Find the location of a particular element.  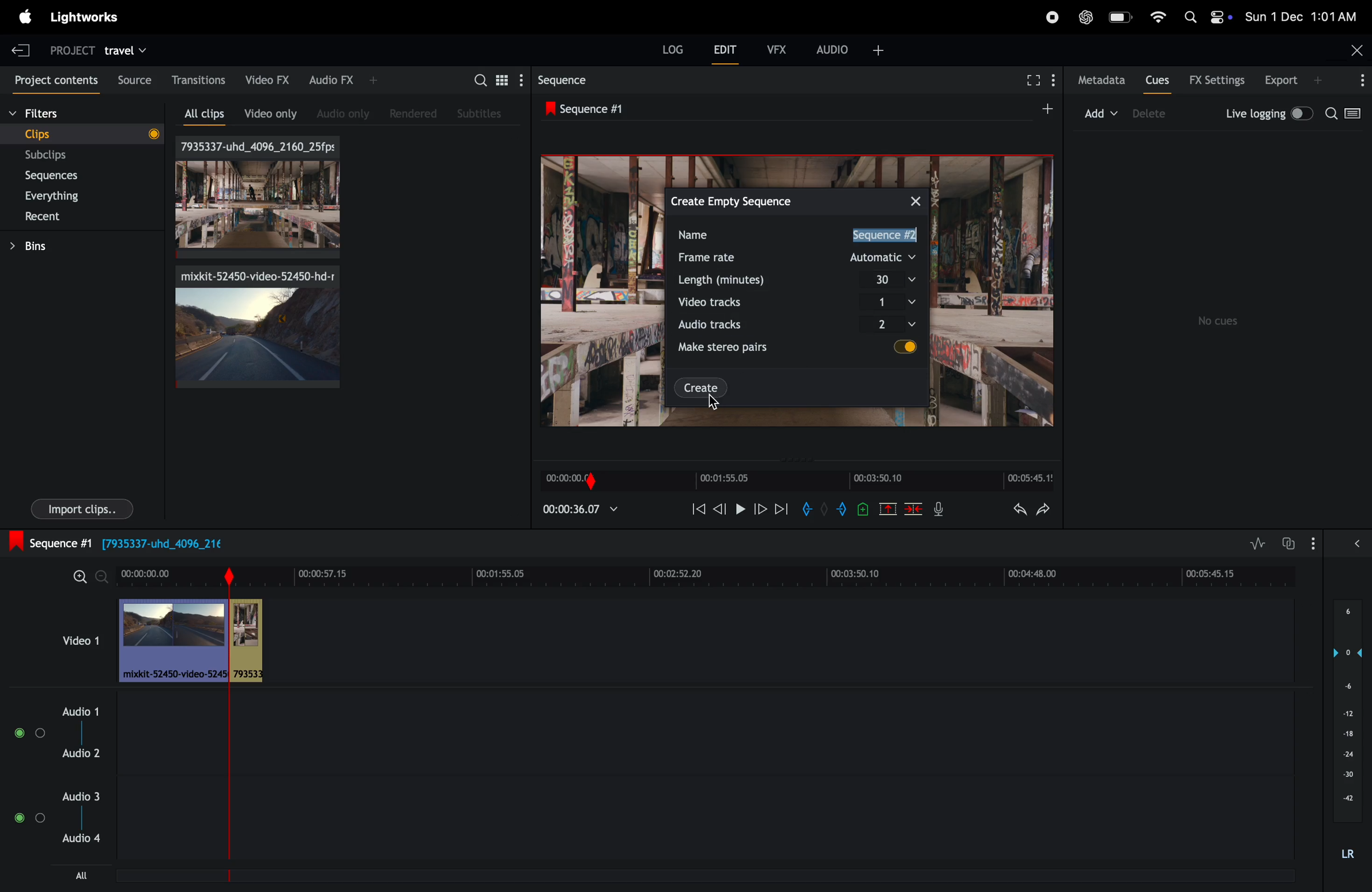

Audio 2 is located at coordinates (83, 755).